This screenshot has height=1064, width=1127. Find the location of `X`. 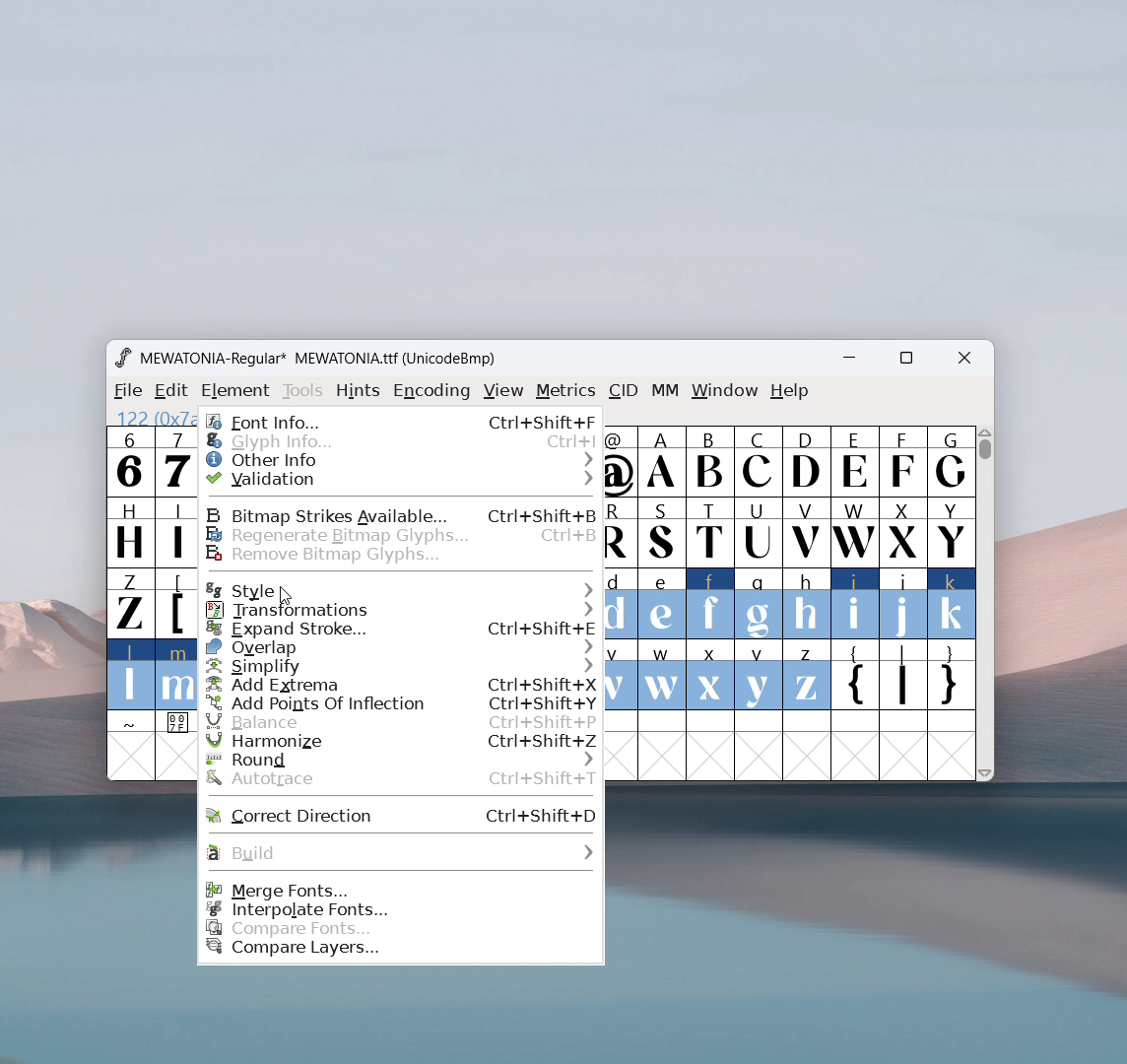

X is located at coordinates (903, 531).